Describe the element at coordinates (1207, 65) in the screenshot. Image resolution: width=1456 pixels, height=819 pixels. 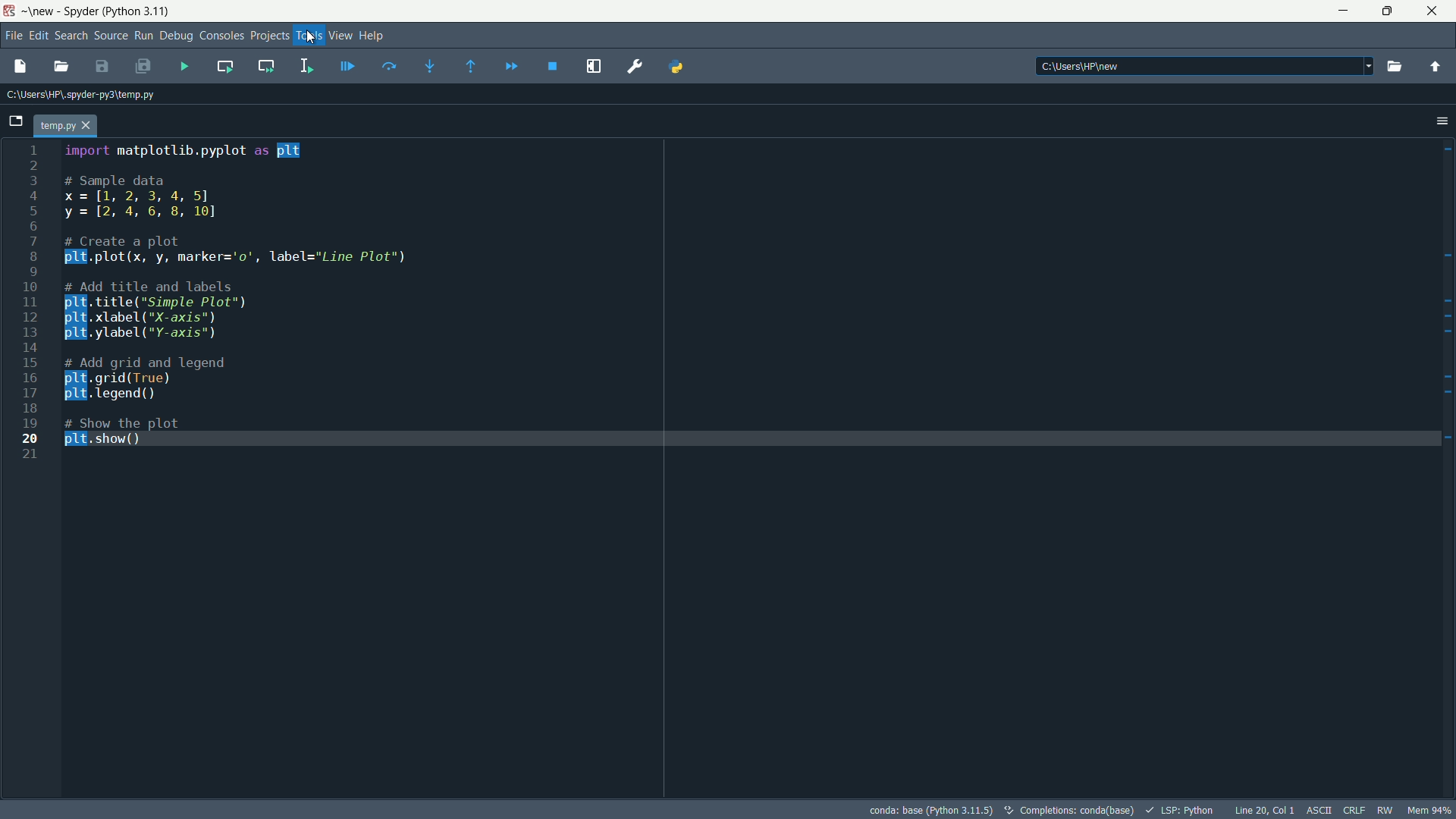
I see ` C:\Users\WP\new` at that location.